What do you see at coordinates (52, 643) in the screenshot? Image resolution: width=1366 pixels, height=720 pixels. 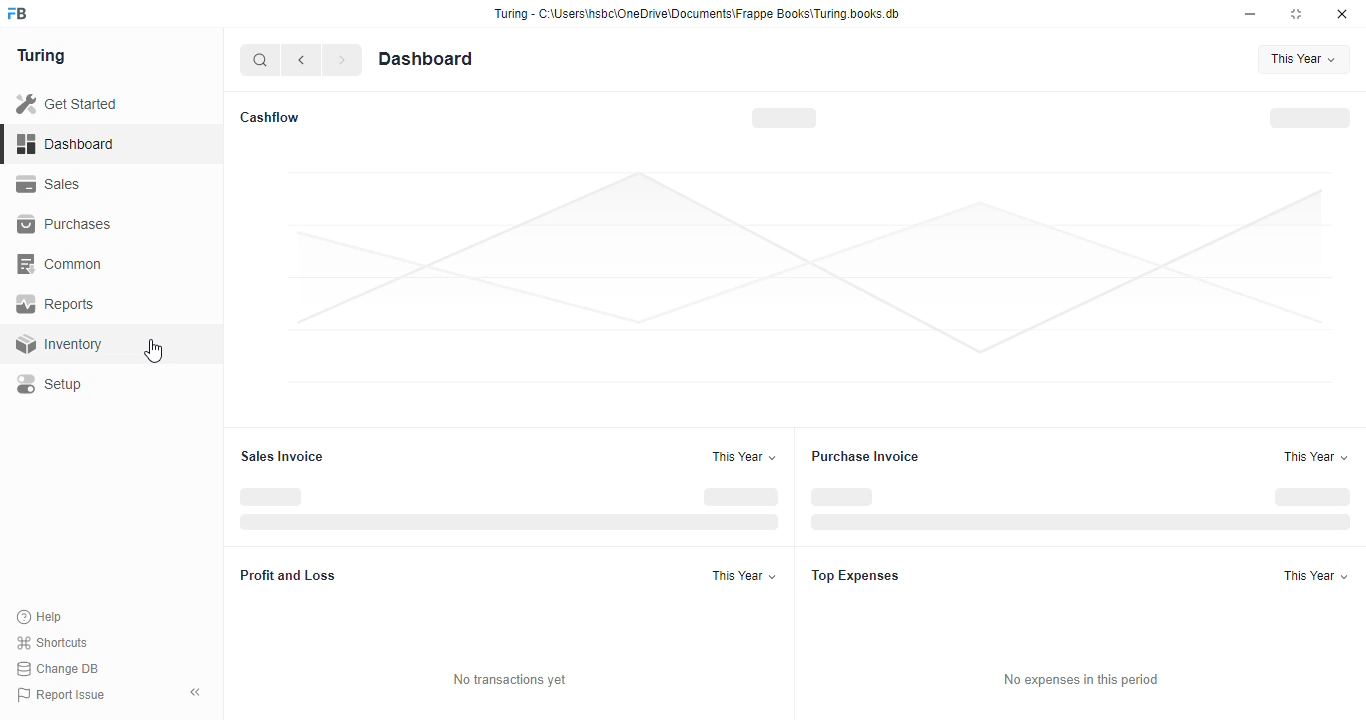 I see `shortcuts` at bounding box center [52, 643].